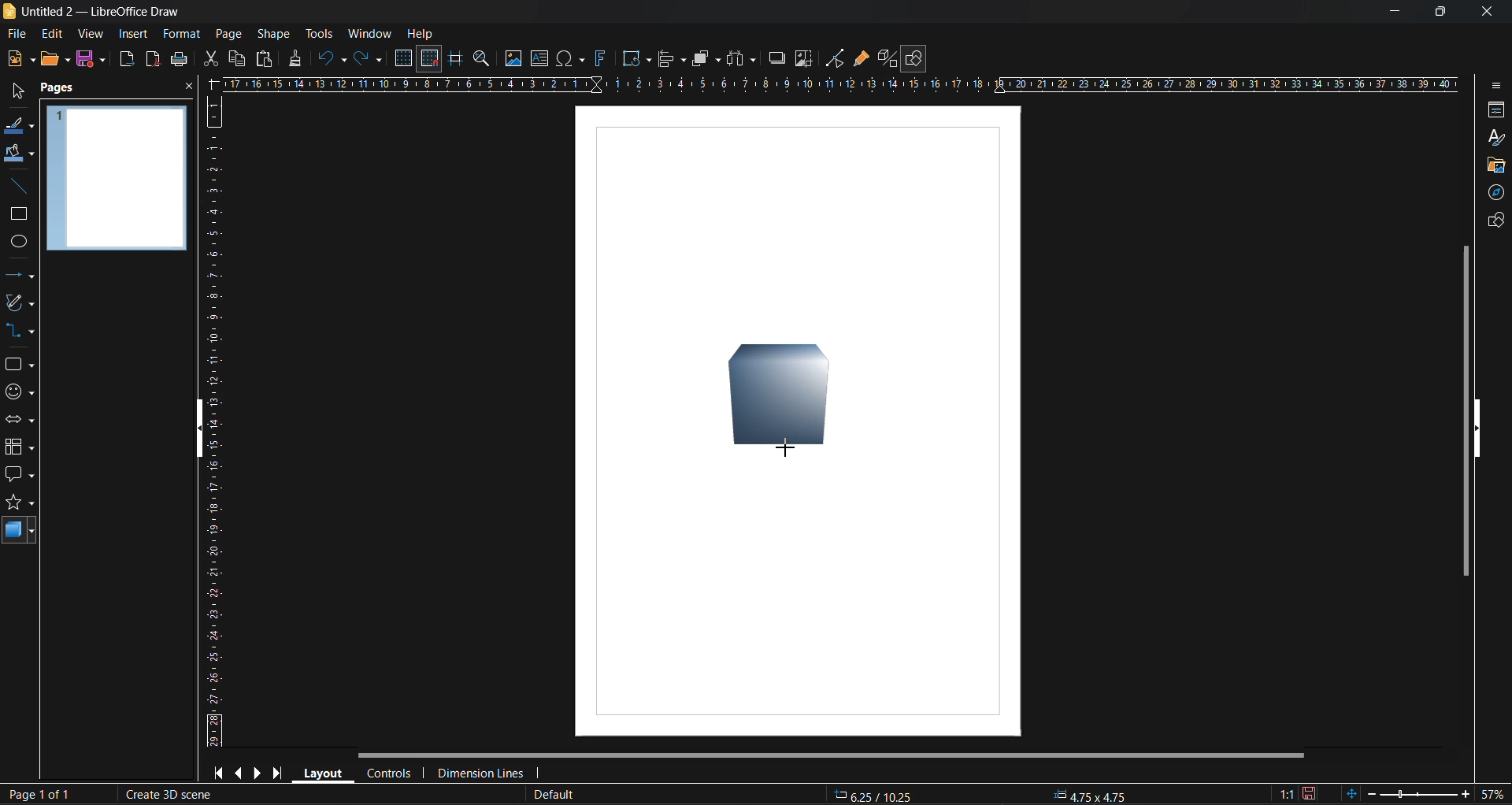  I want to click on ellipse, so click(19, 243).